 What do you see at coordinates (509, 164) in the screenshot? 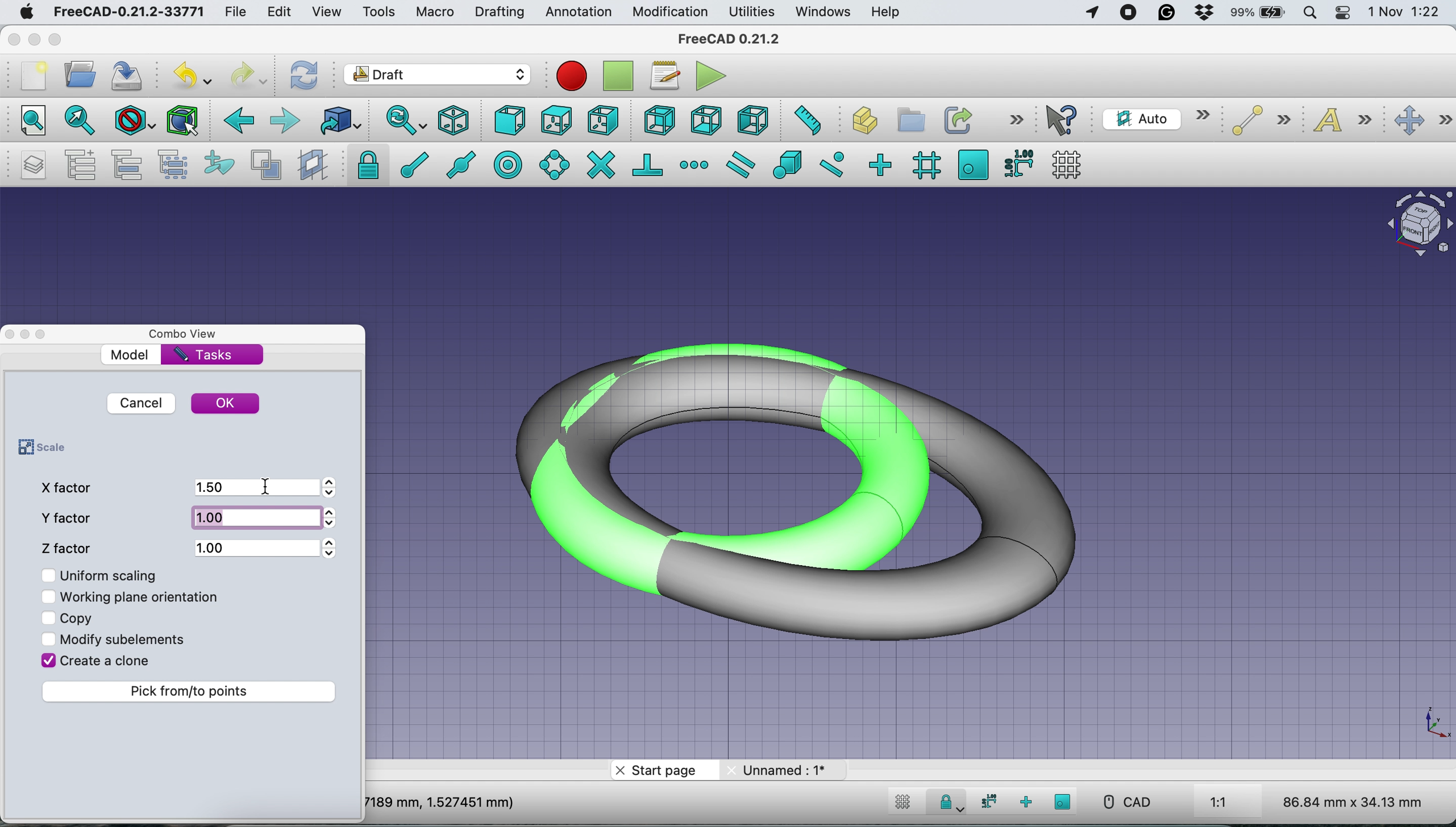
I see `snap center` at bounding box center [509, 164].